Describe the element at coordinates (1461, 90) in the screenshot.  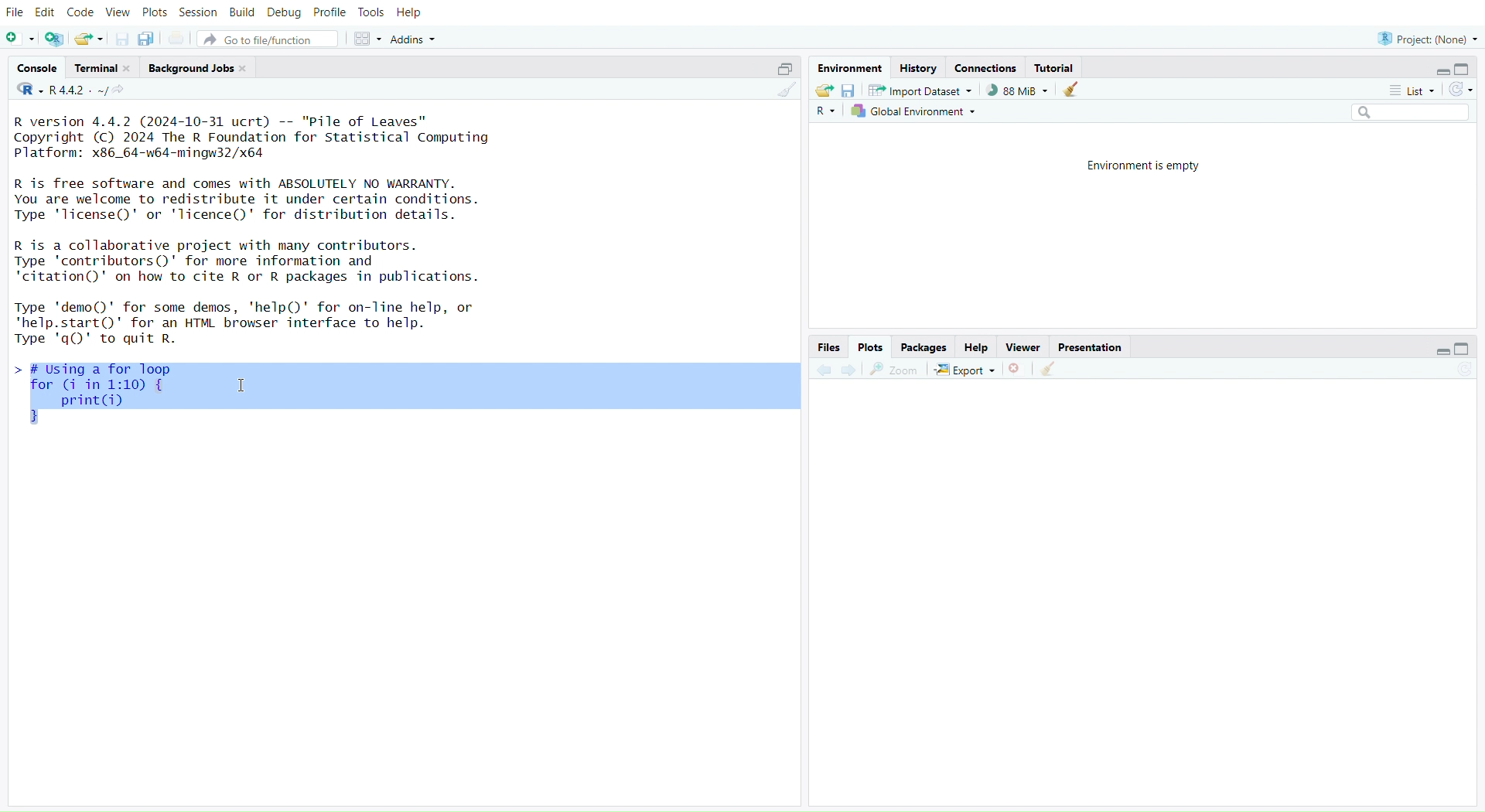
I see `refresh list` at that location.